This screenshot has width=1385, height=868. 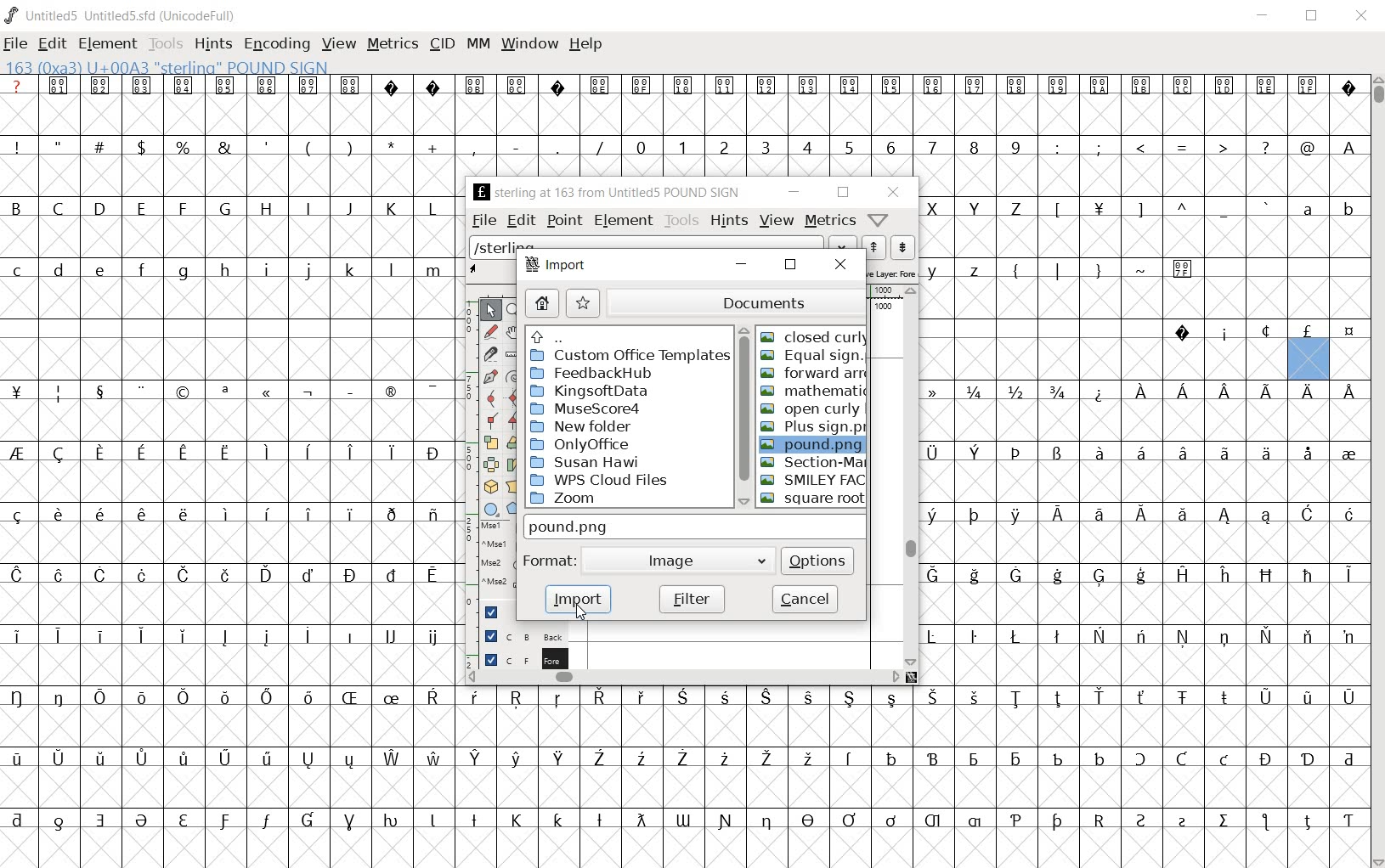 I want to click on Symbol, so click(x=1348, y=516).